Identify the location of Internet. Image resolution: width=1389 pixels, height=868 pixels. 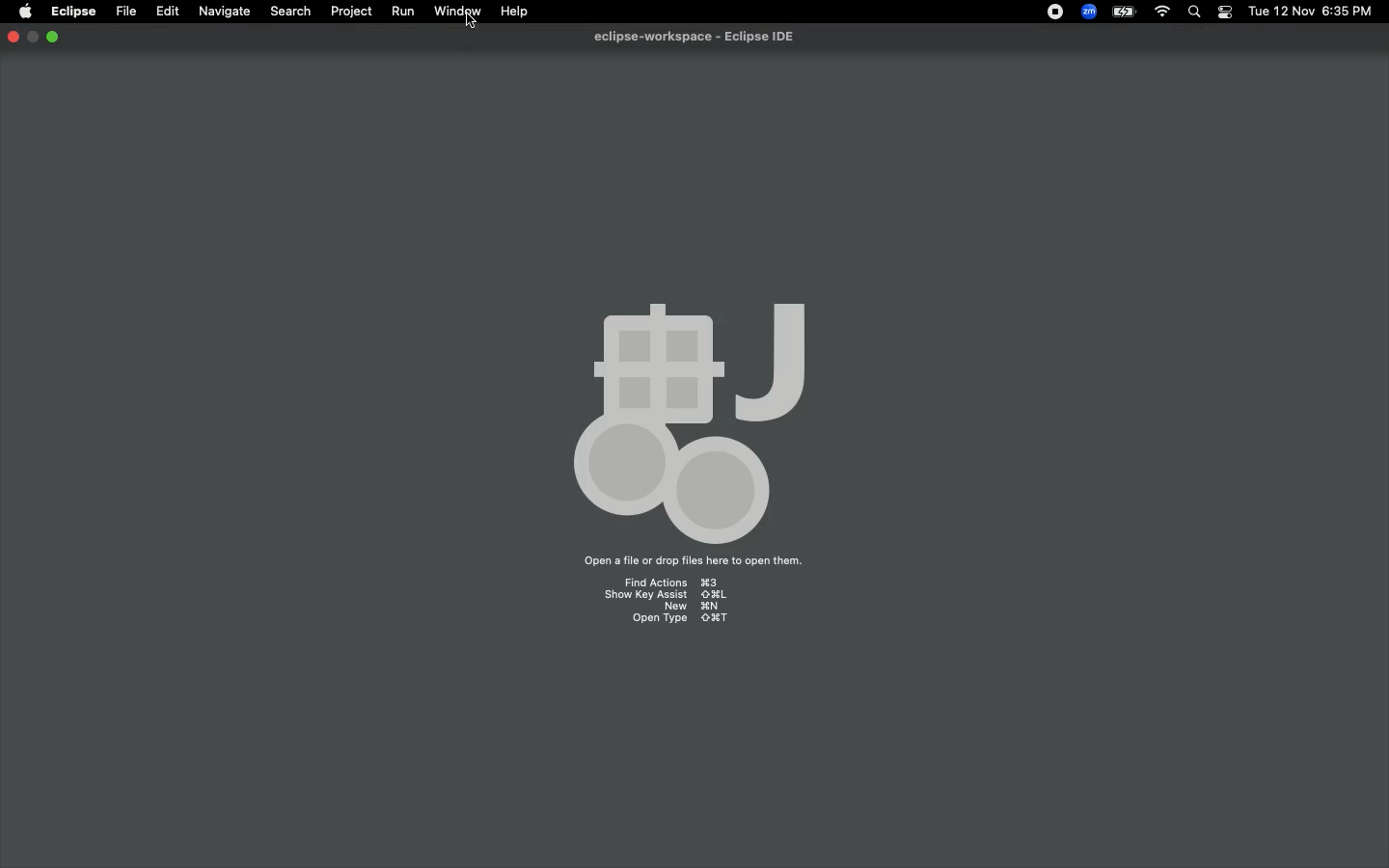
(1162, 13).